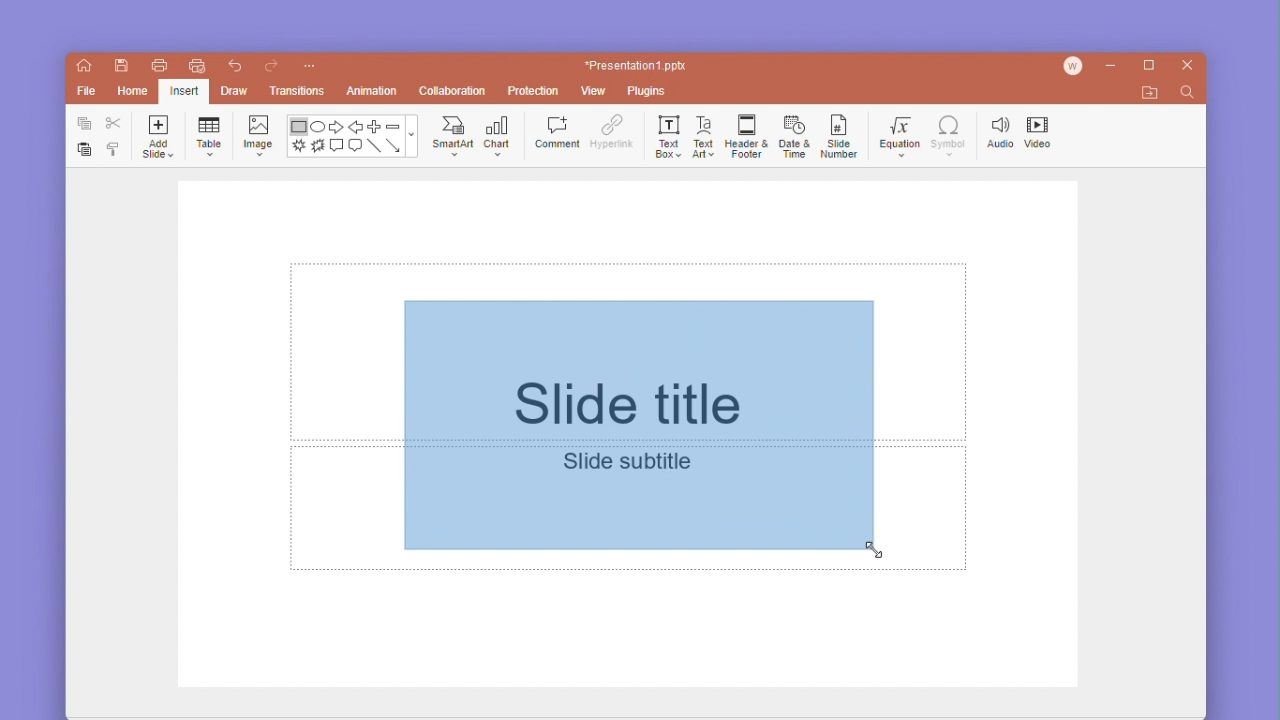  Describe the element at coordinates (792, 134) in the screenshot. I see `date and time` at that location.